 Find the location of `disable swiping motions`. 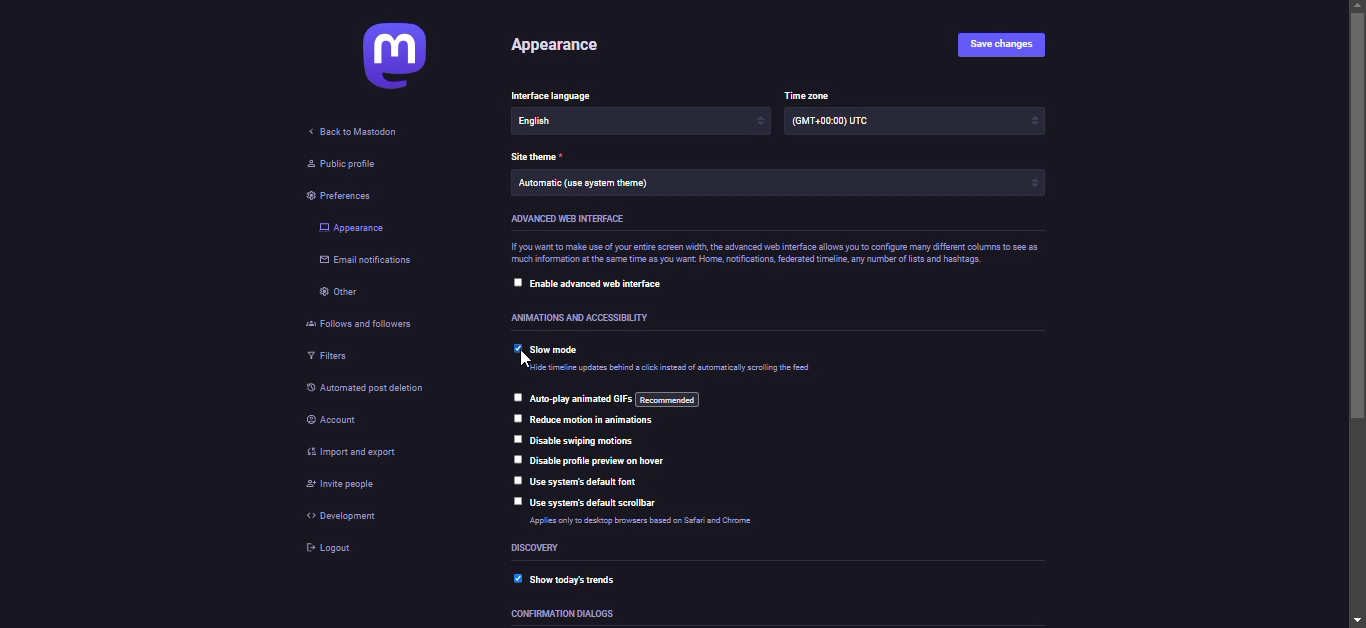

disable swiping motions is located at coordinates (584, 439).